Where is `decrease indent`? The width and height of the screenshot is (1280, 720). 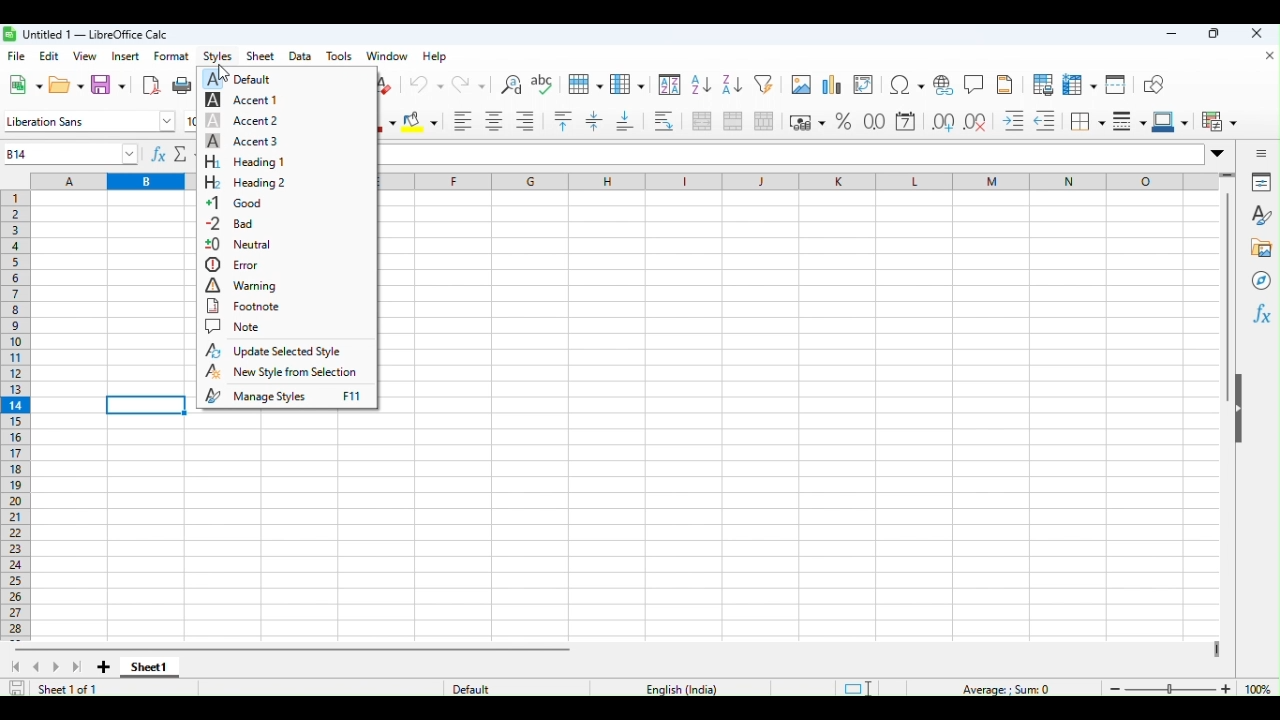 decrease indent is located at coordinates (1044, 121).